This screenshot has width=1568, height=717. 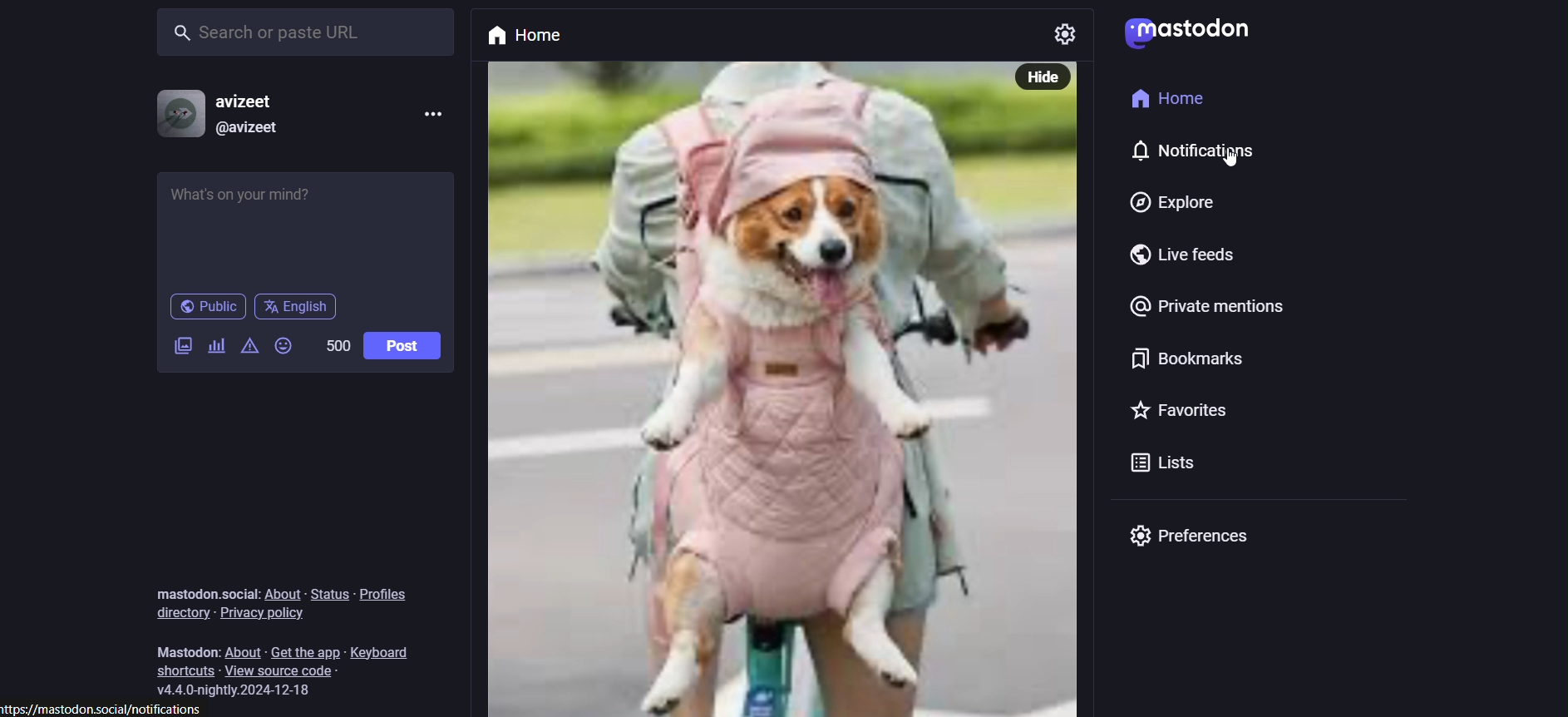 What do you see at coordinates (309, 35) in the screenshot?
I see `search or paste URL` at bounding box center [309, 35].